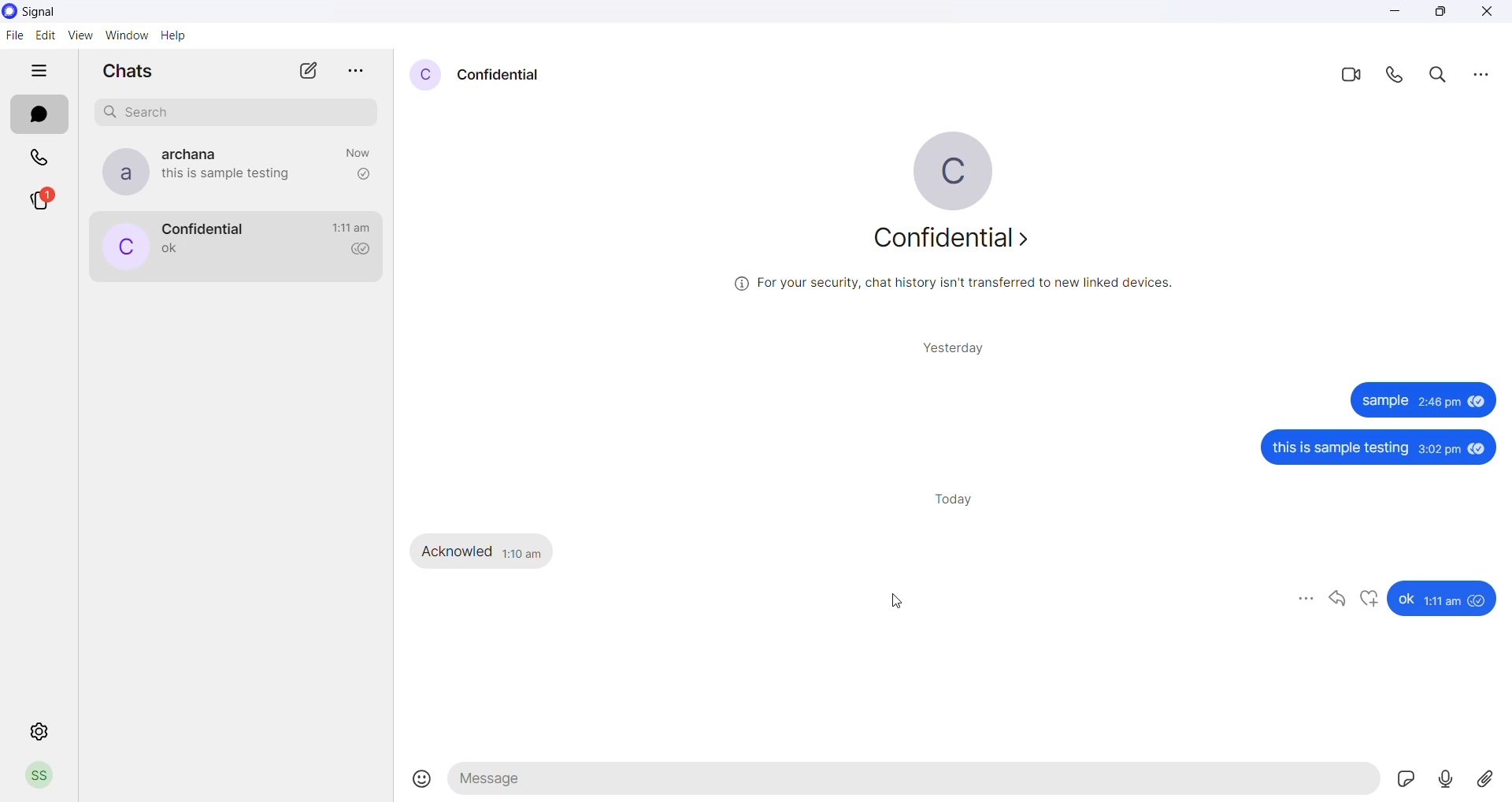 This screenshot has width=1512, height=802. Describe the element at coordinates (1370, 600) in the screenshot. I see `add reaction` at that location.